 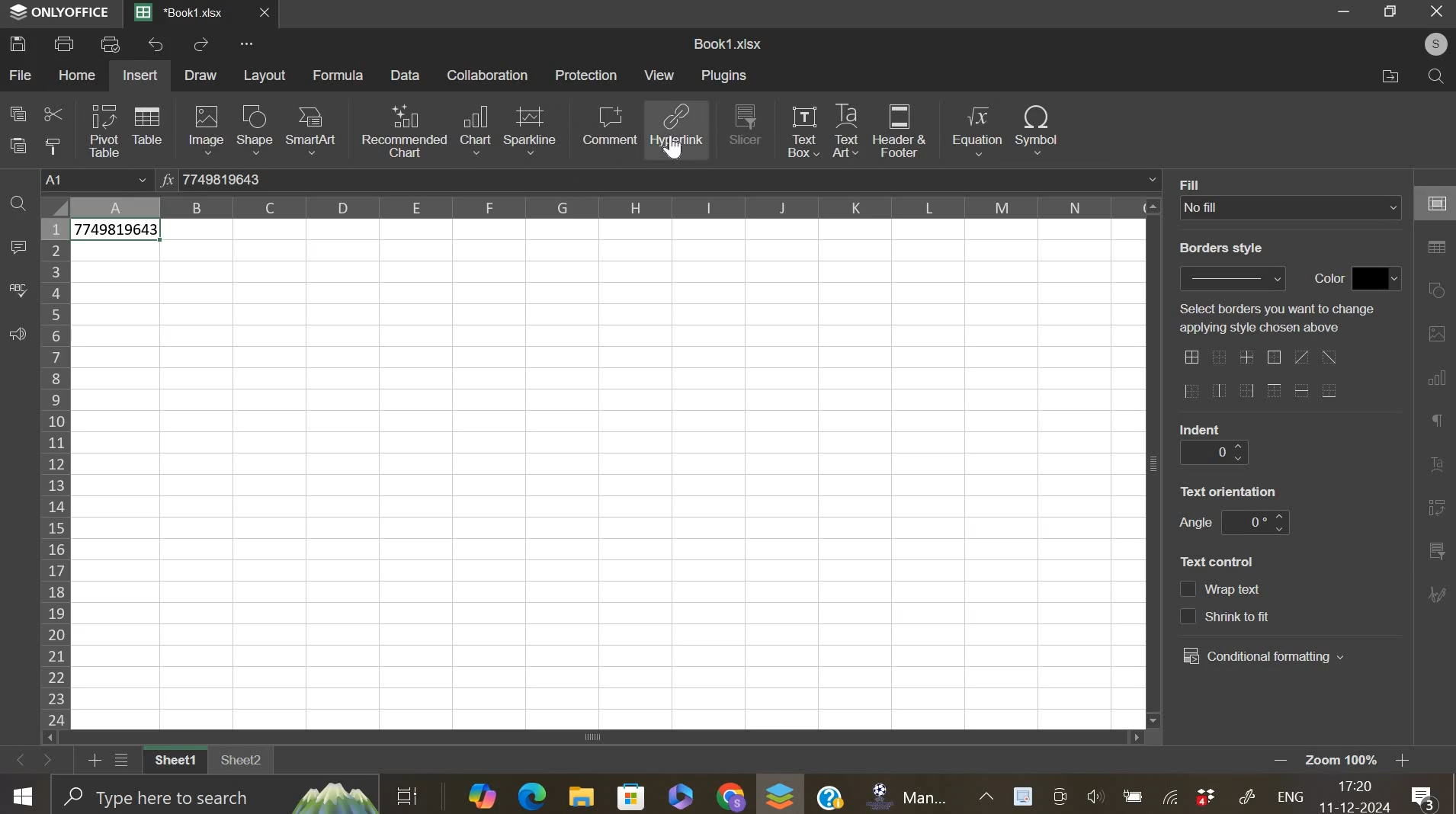 What do you see at coordinates (1259, 376) in the screenshot?
I see `border` at bounding box center [1259, 376].